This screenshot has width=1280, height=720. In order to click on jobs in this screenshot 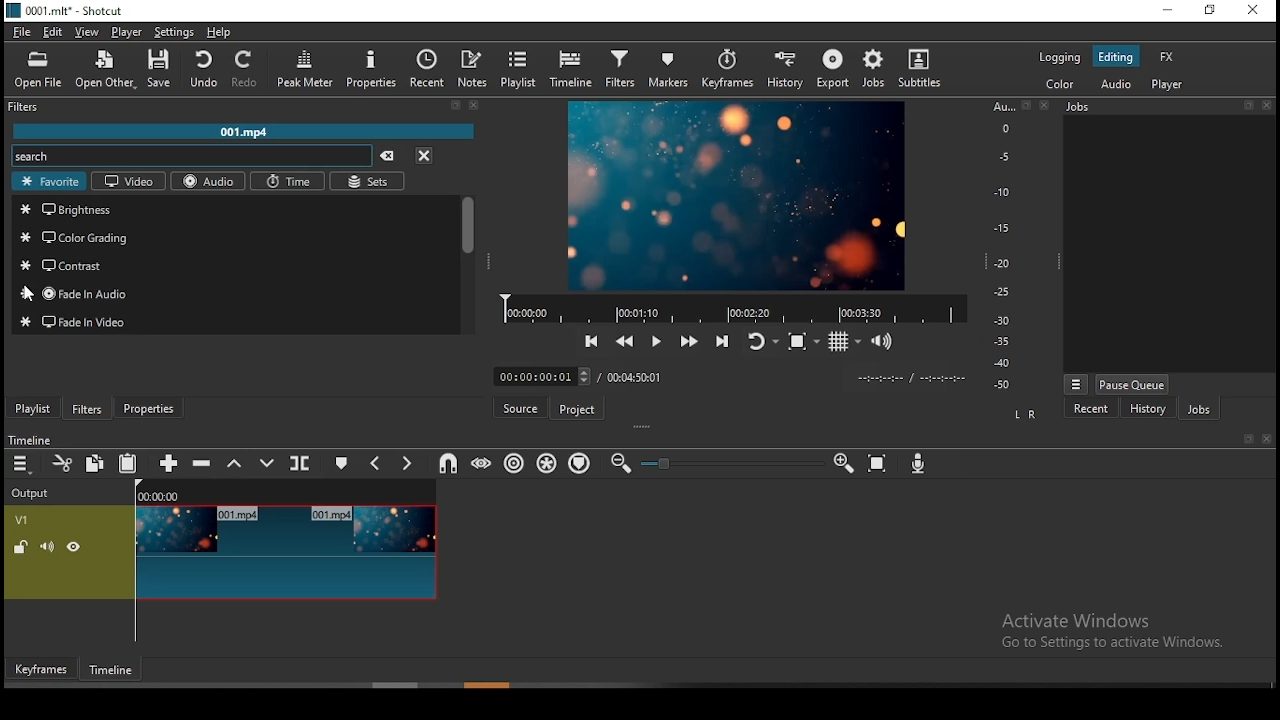, I will do `click(873, 72)`.